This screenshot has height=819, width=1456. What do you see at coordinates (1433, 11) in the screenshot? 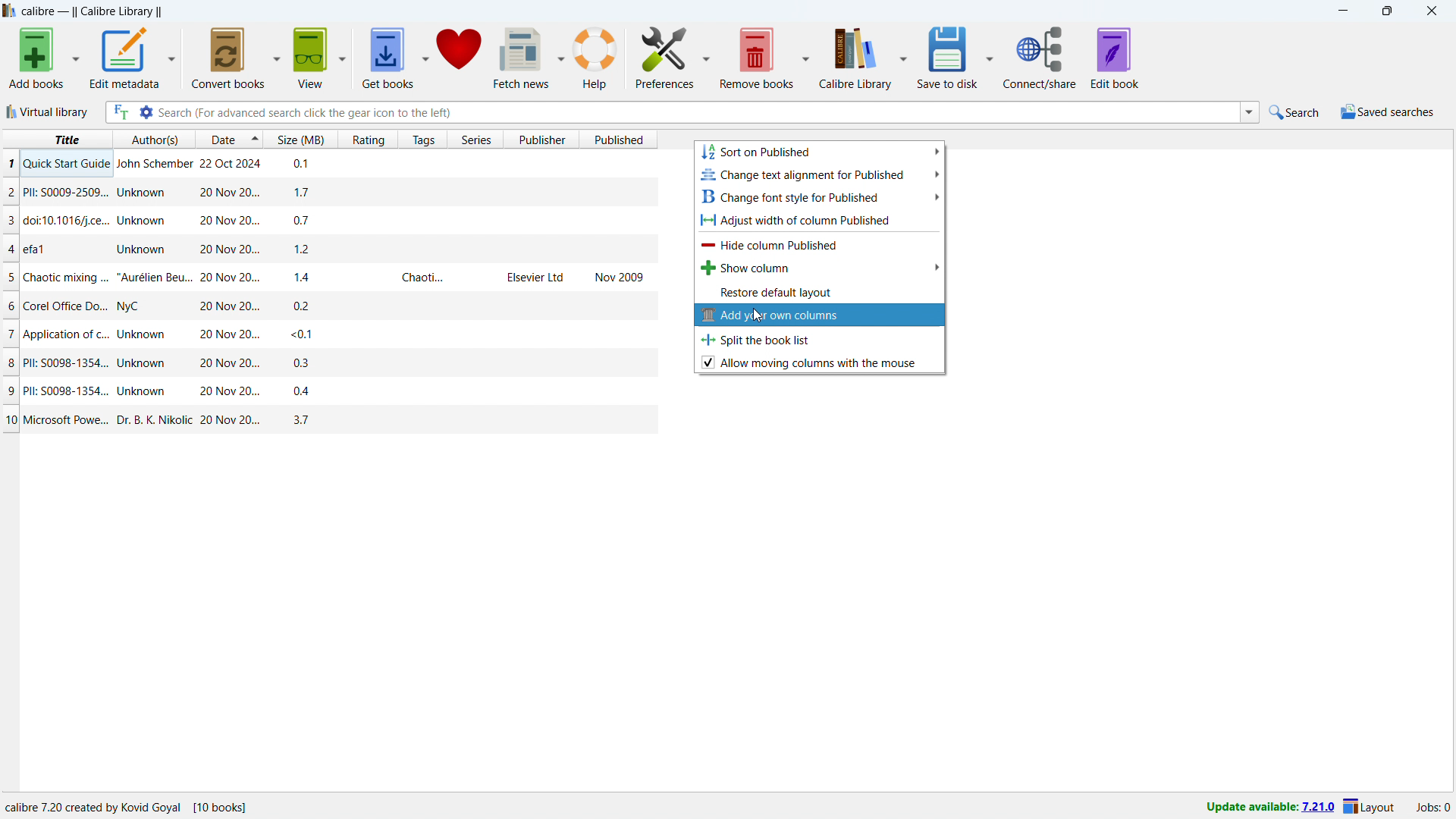
I see `close` at bounding box center [1433, 11].